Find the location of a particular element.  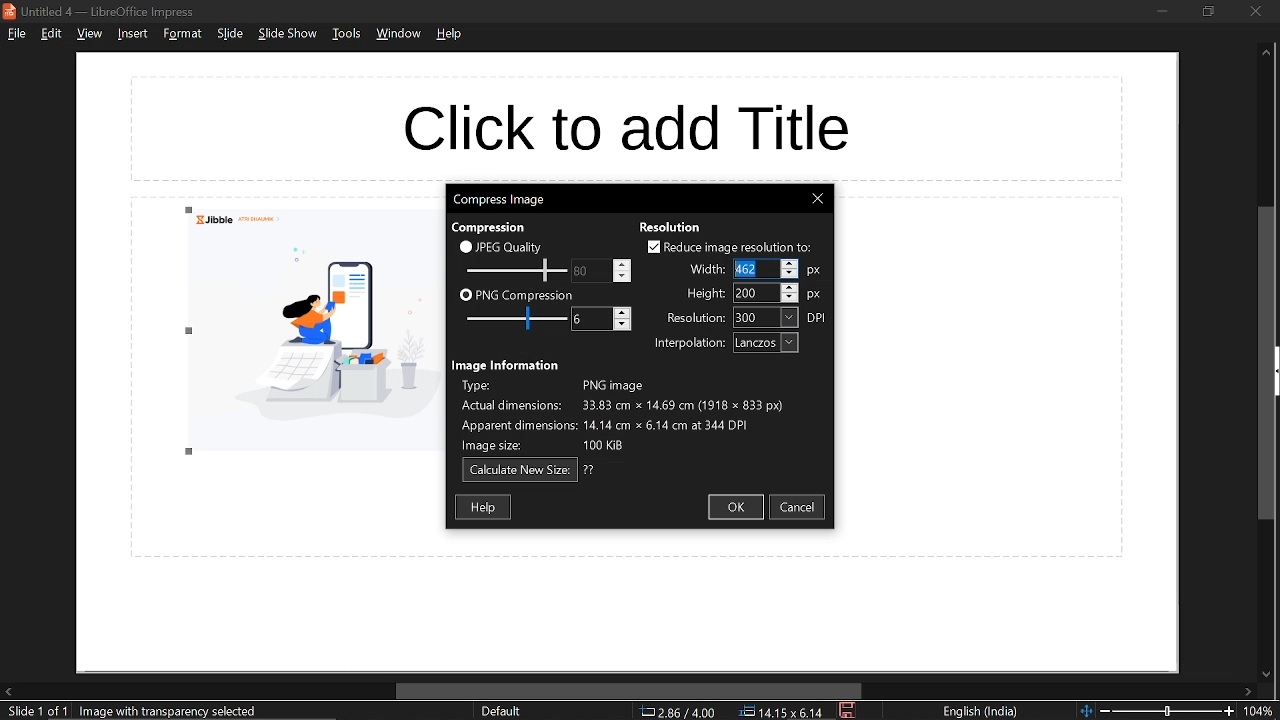

interpolation is located at coordinates (766, 343).